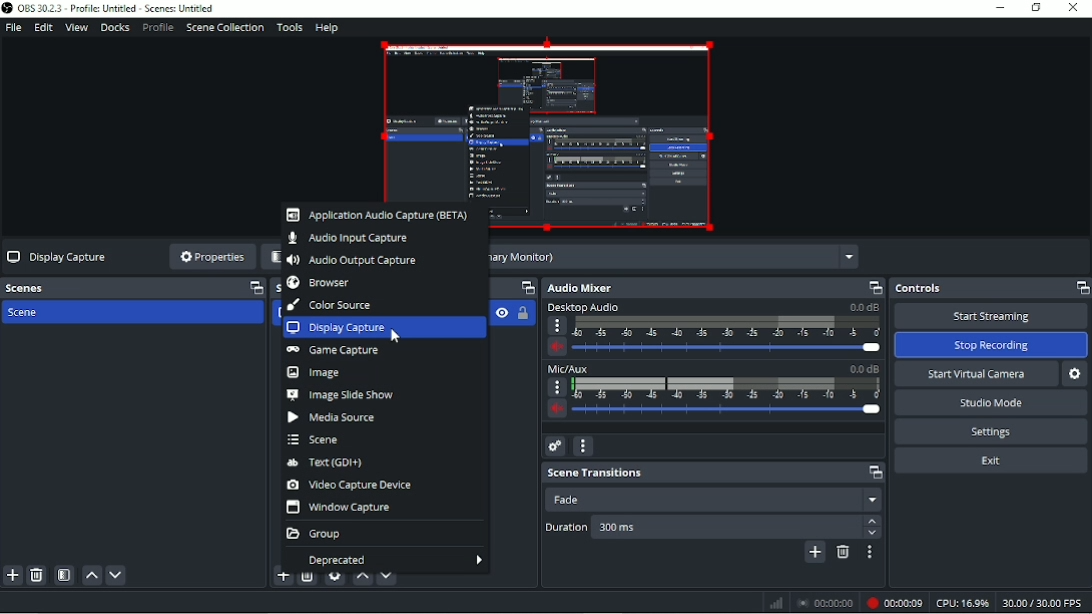 Image resolution: width=1092 pixels, height=614 pixels. I want to click on Move scene up, so click(90, 575).